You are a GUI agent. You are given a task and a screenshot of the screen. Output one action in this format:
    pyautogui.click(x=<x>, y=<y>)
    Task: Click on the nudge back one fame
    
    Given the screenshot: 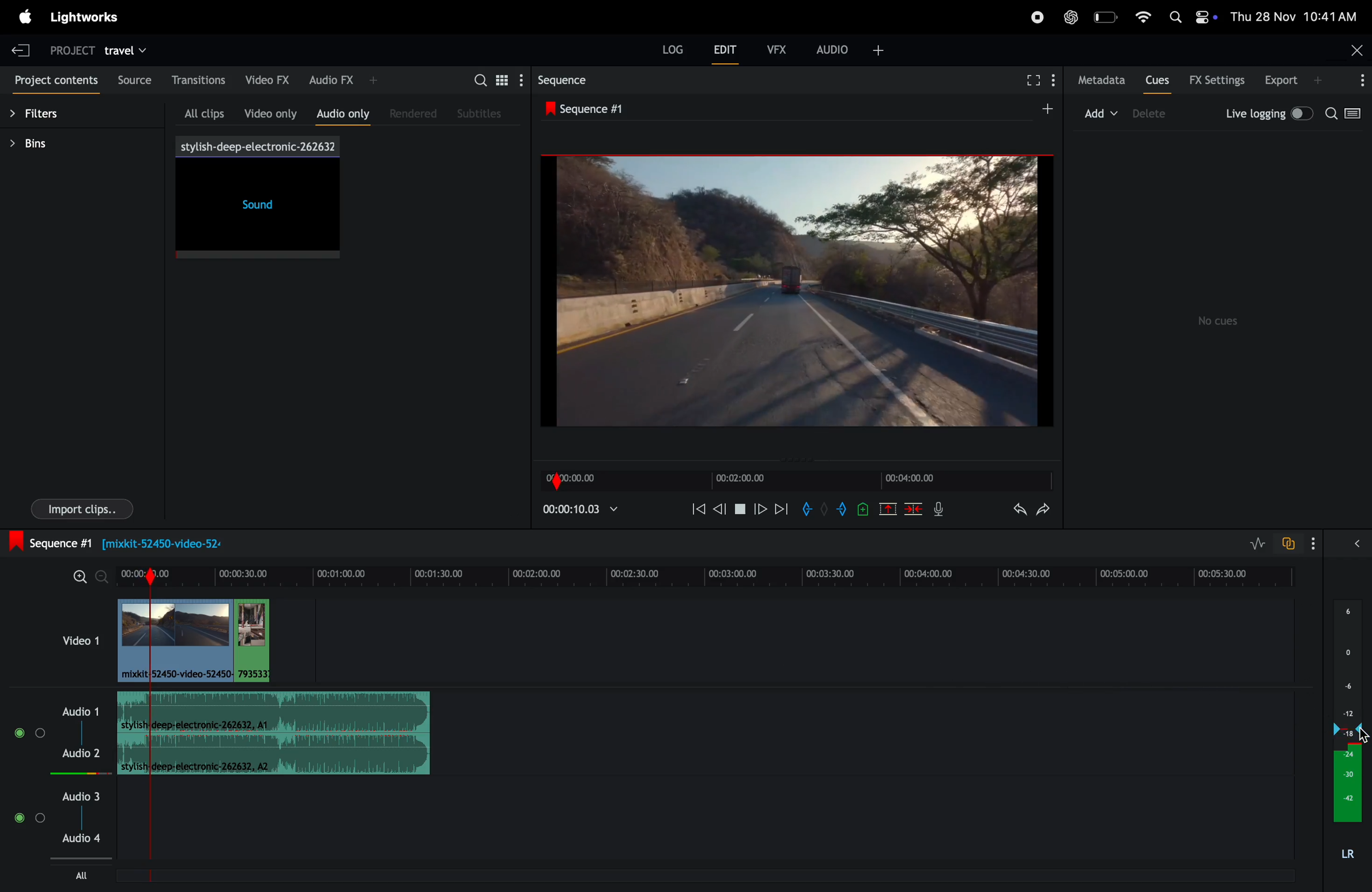 What is the action you would take?
    pyautogui.click(x=721, y=507)
    